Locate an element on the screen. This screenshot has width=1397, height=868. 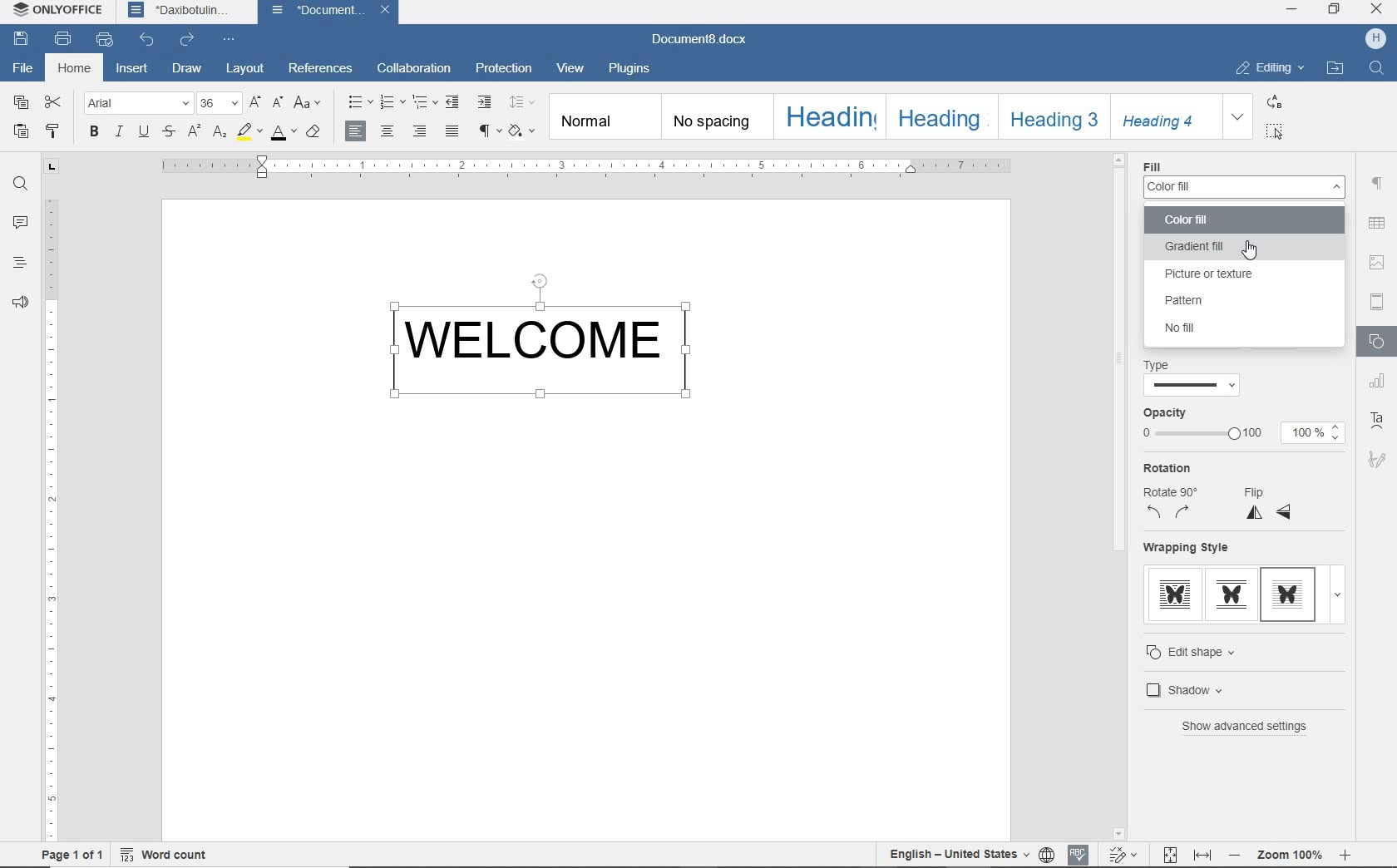
Line Type is located at coordinates (1161, 365).